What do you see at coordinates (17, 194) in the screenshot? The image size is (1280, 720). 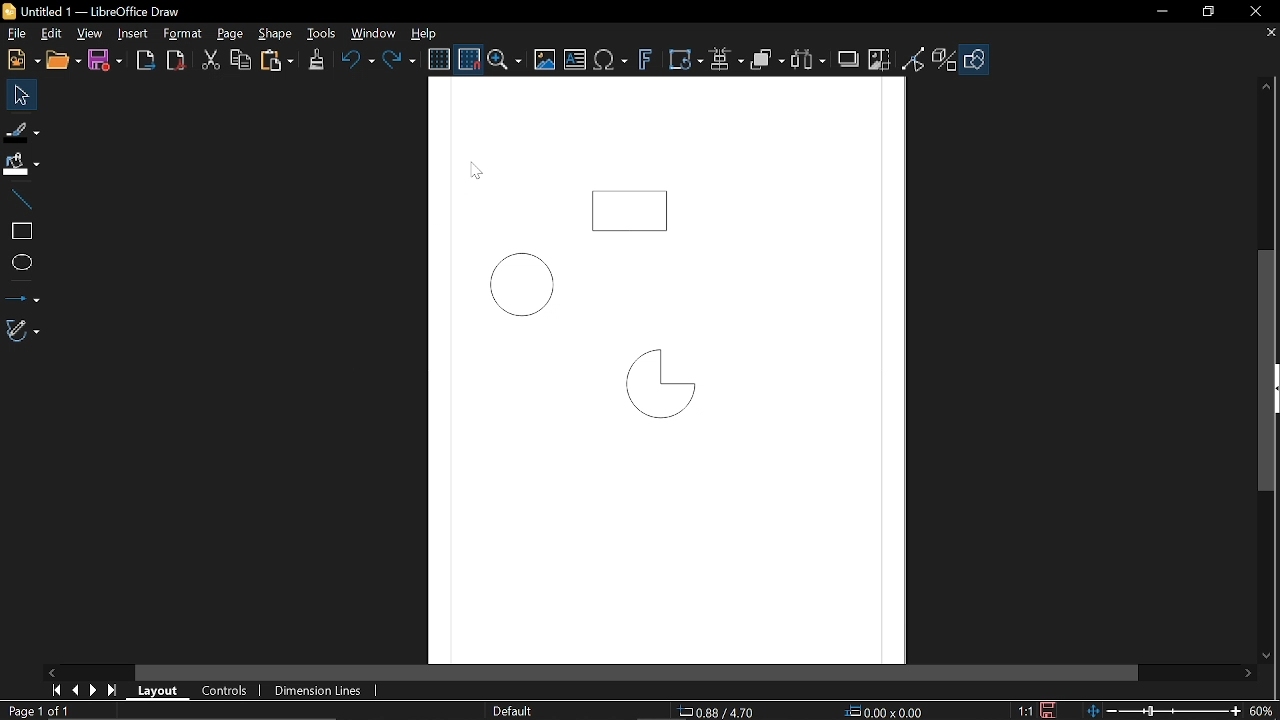 I see `Line` at bounding box center [17, 194].